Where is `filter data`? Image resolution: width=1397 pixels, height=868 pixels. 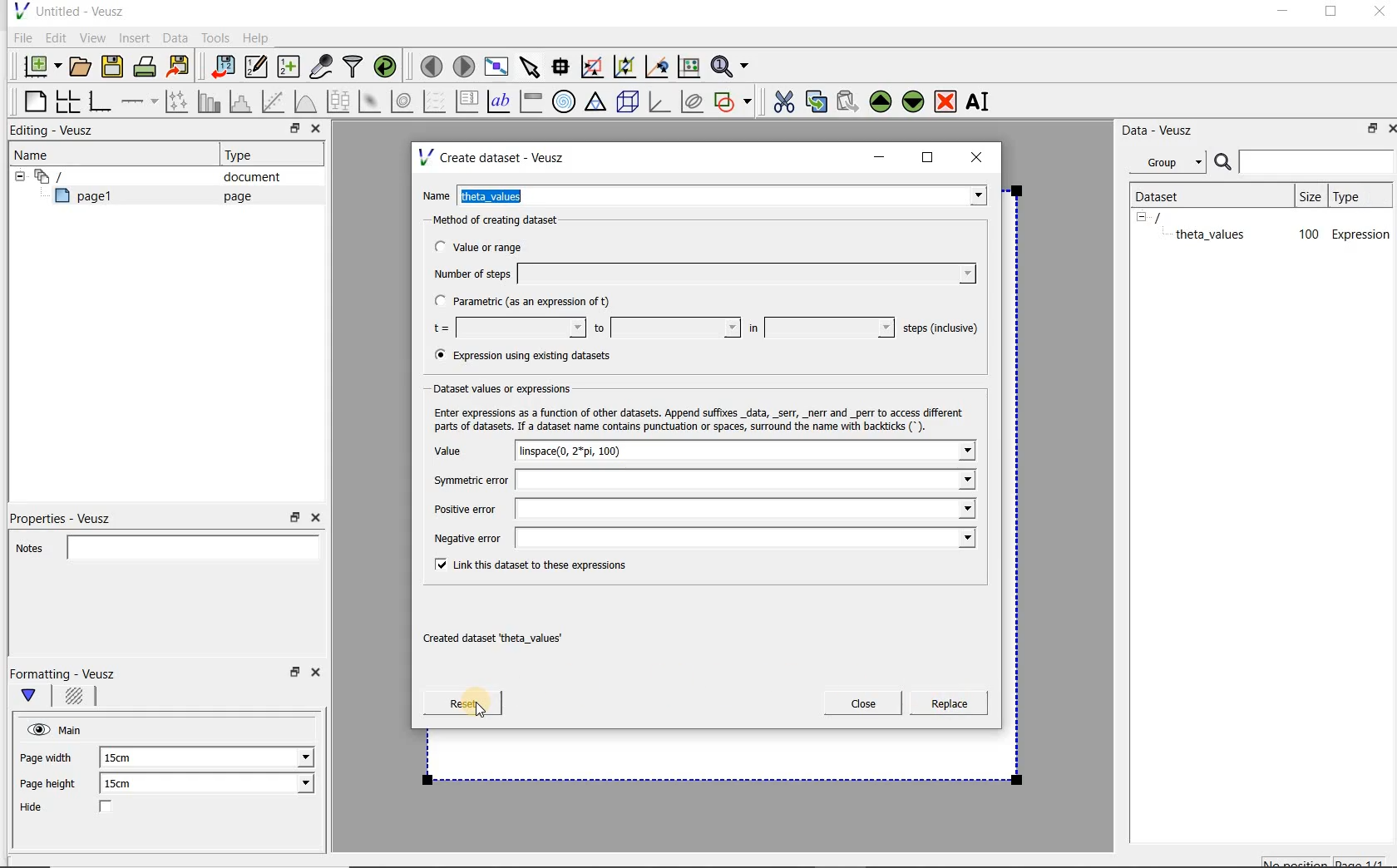
filter data is located at coordinates (353, 68).